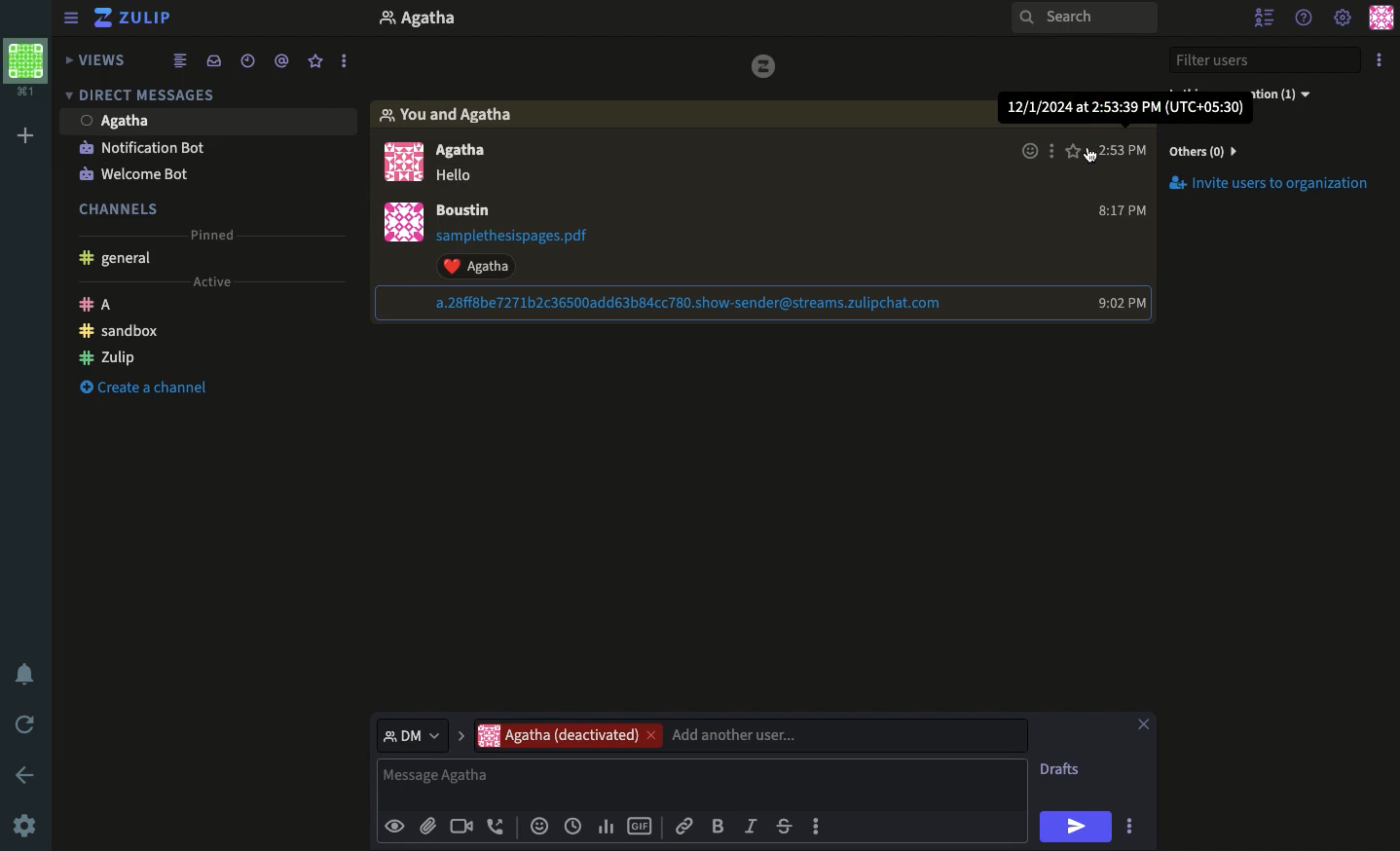 The width and height of the screenshot is (1400, 851). Describe the element at coordinates (29, 135) in the screenshot. I see `Add` at that location.